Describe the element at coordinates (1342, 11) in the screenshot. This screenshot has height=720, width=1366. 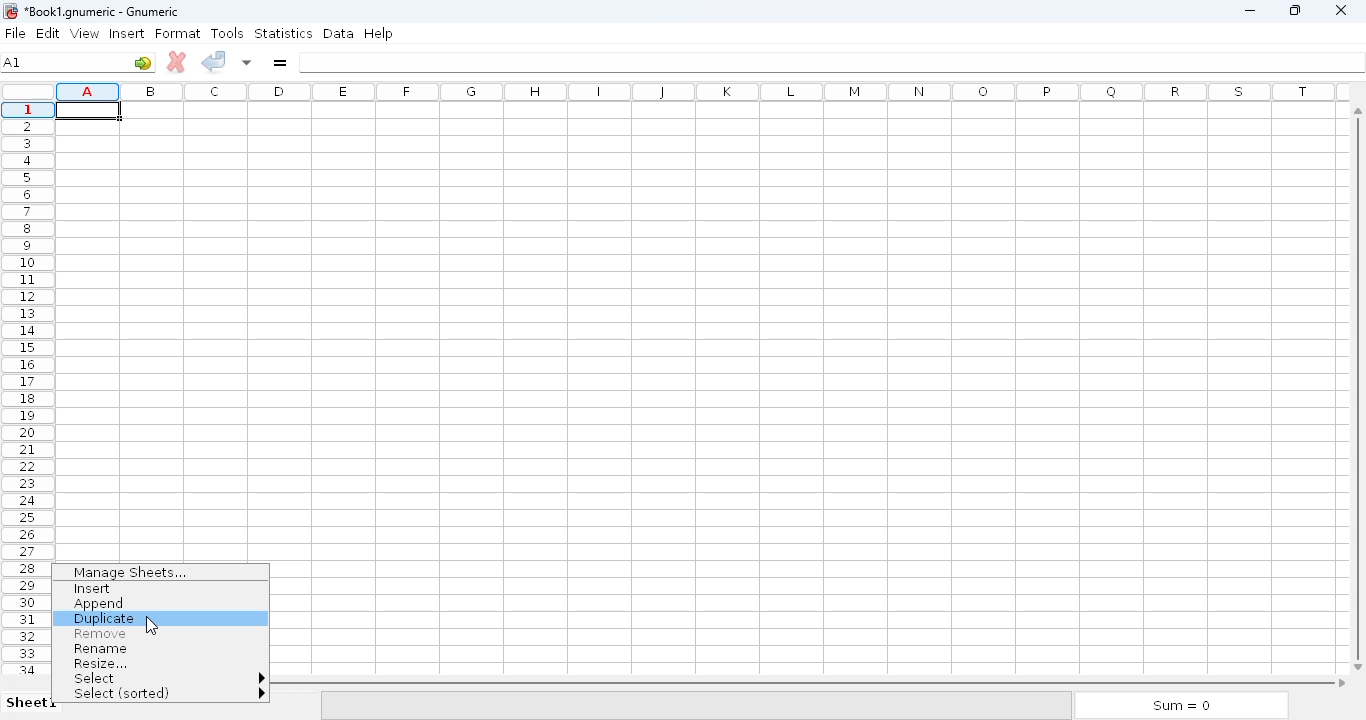
I see `close` at that location.